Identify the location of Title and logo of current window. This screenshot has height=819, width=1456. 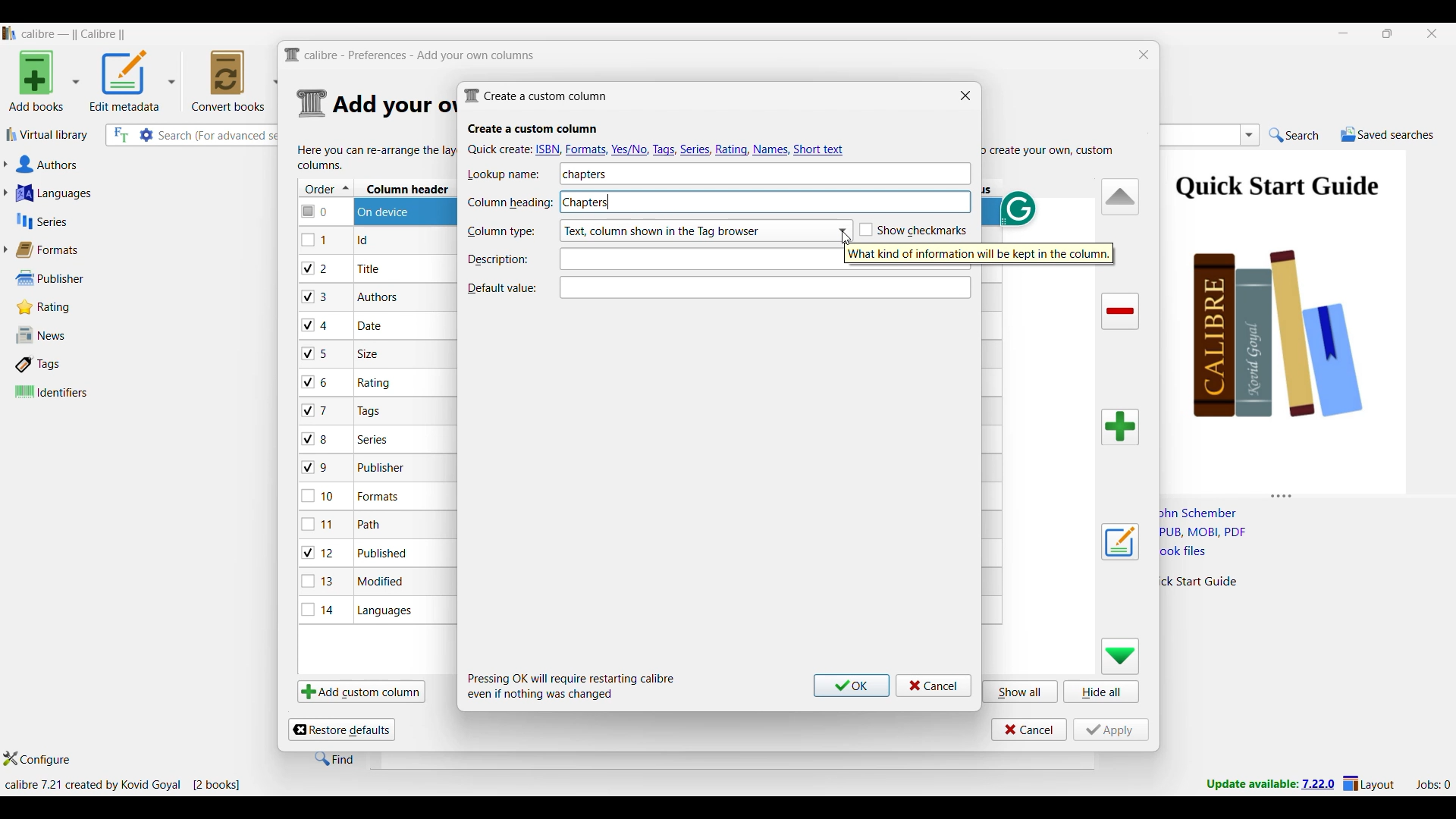
(410, 55).